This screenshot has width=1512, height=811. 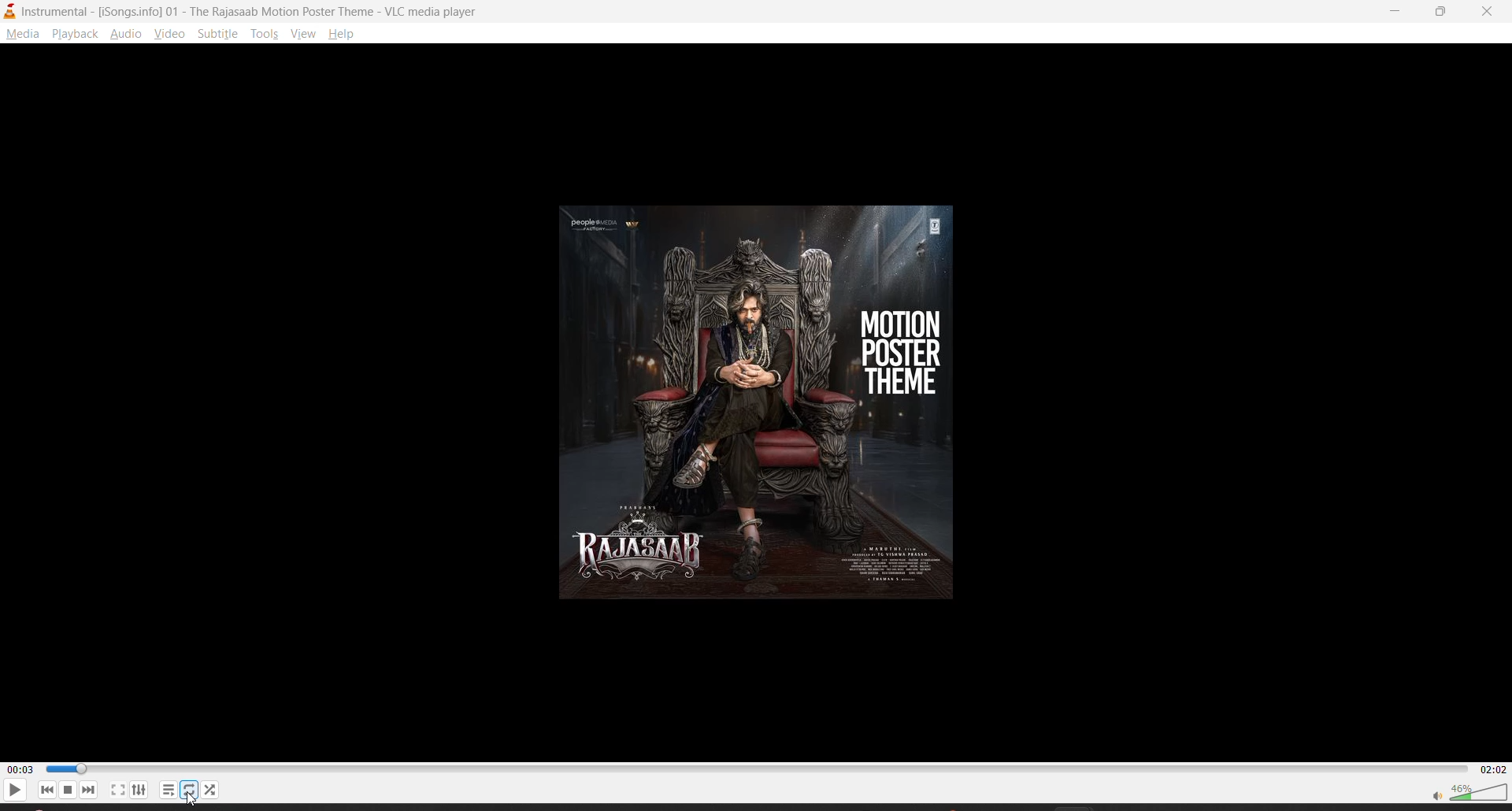 I want to click on audio, so click(x=125, y=35).